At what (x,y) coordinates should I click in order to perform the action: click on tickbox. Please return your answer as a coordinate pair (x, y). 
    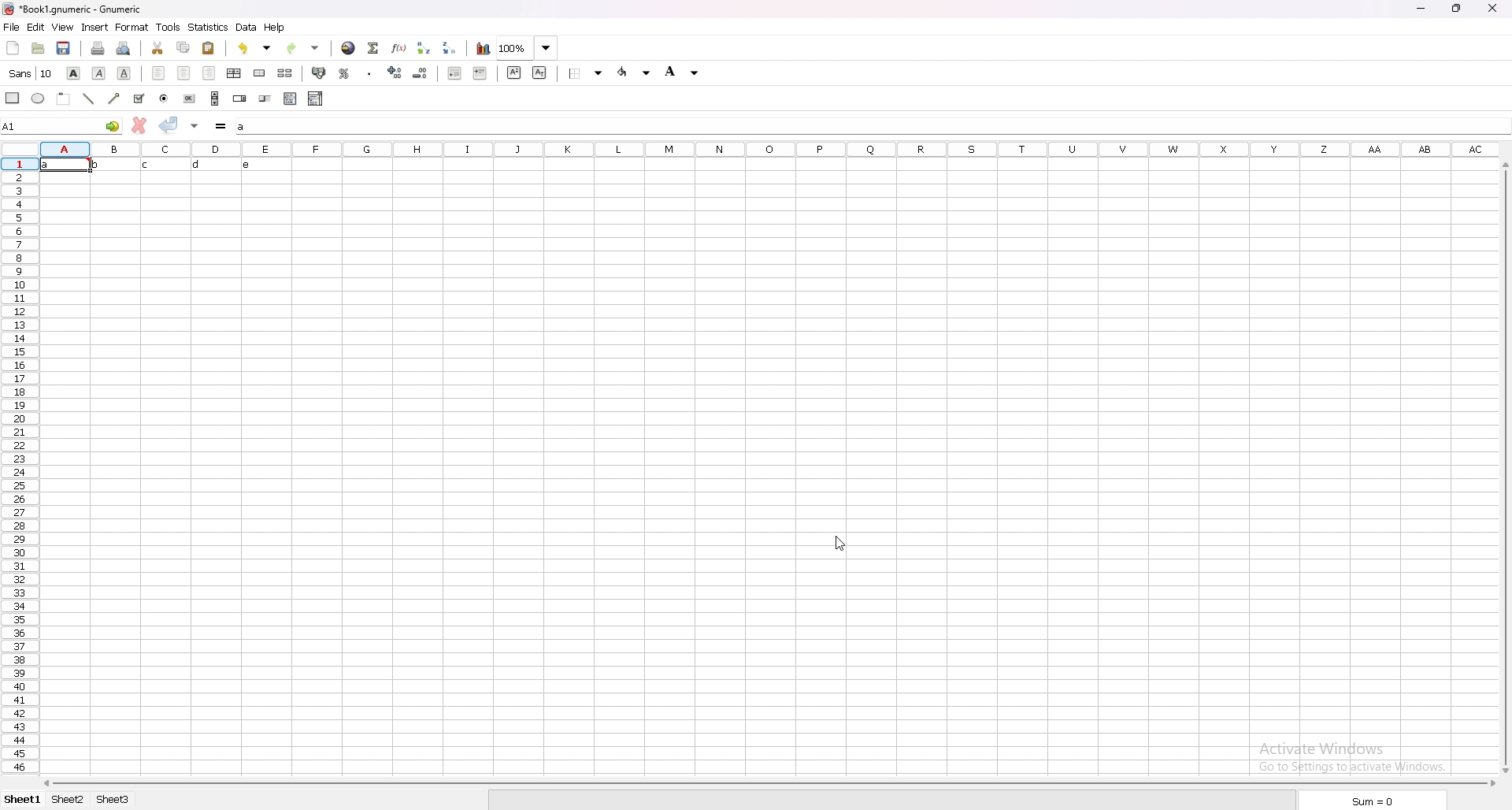
    Looking at the image, I should click on (139, 98).